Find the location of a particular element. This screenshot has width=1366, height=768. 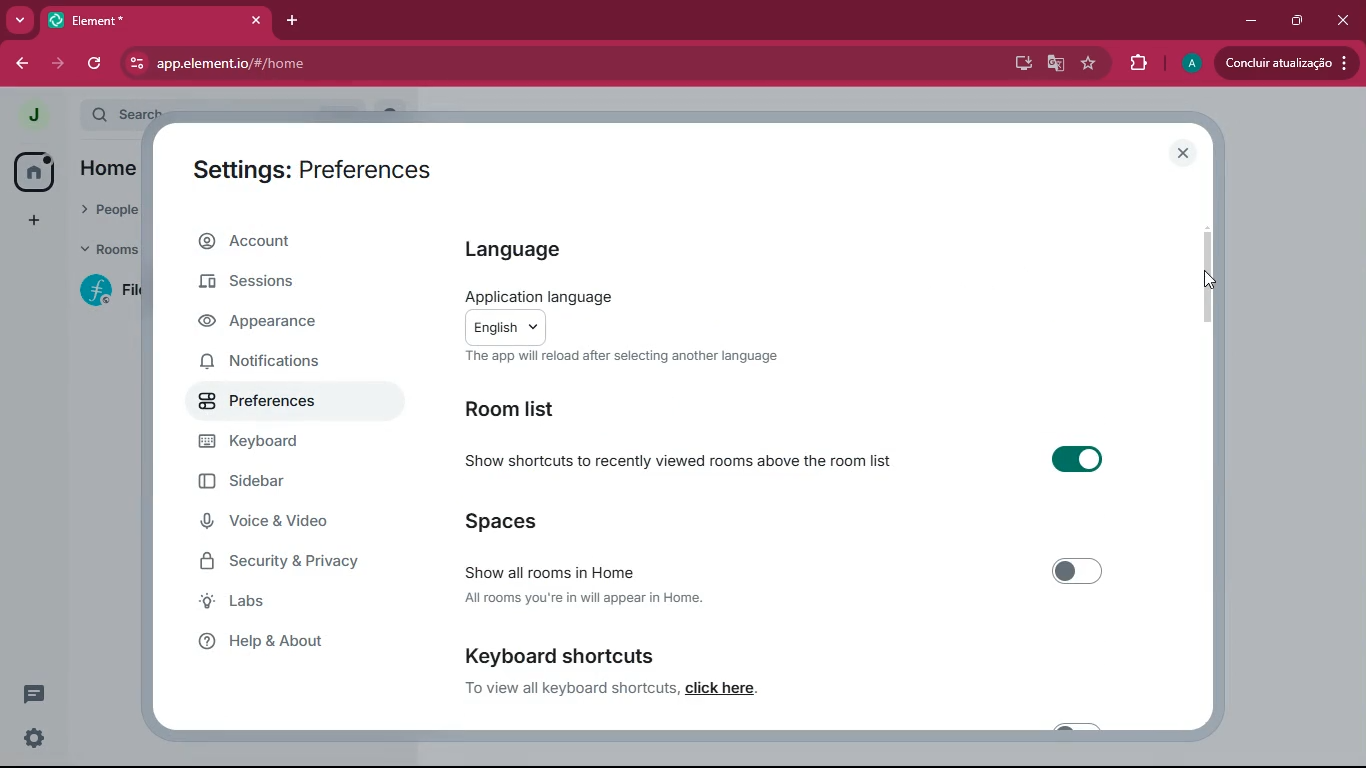

back is located at coordinates (16, 65).